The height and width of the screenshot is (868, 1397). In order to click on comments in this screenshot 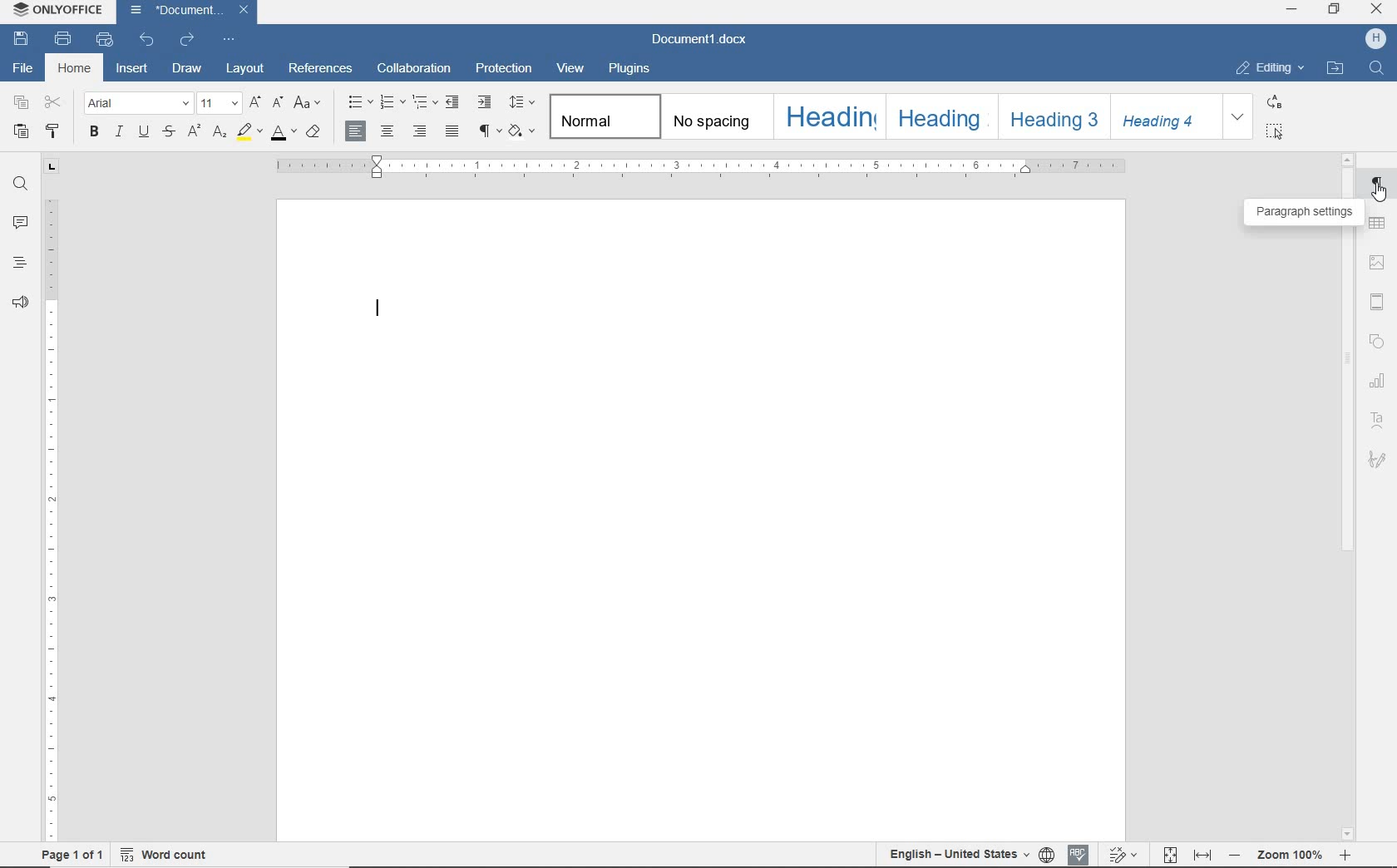, I will do `click(20, 224)`.